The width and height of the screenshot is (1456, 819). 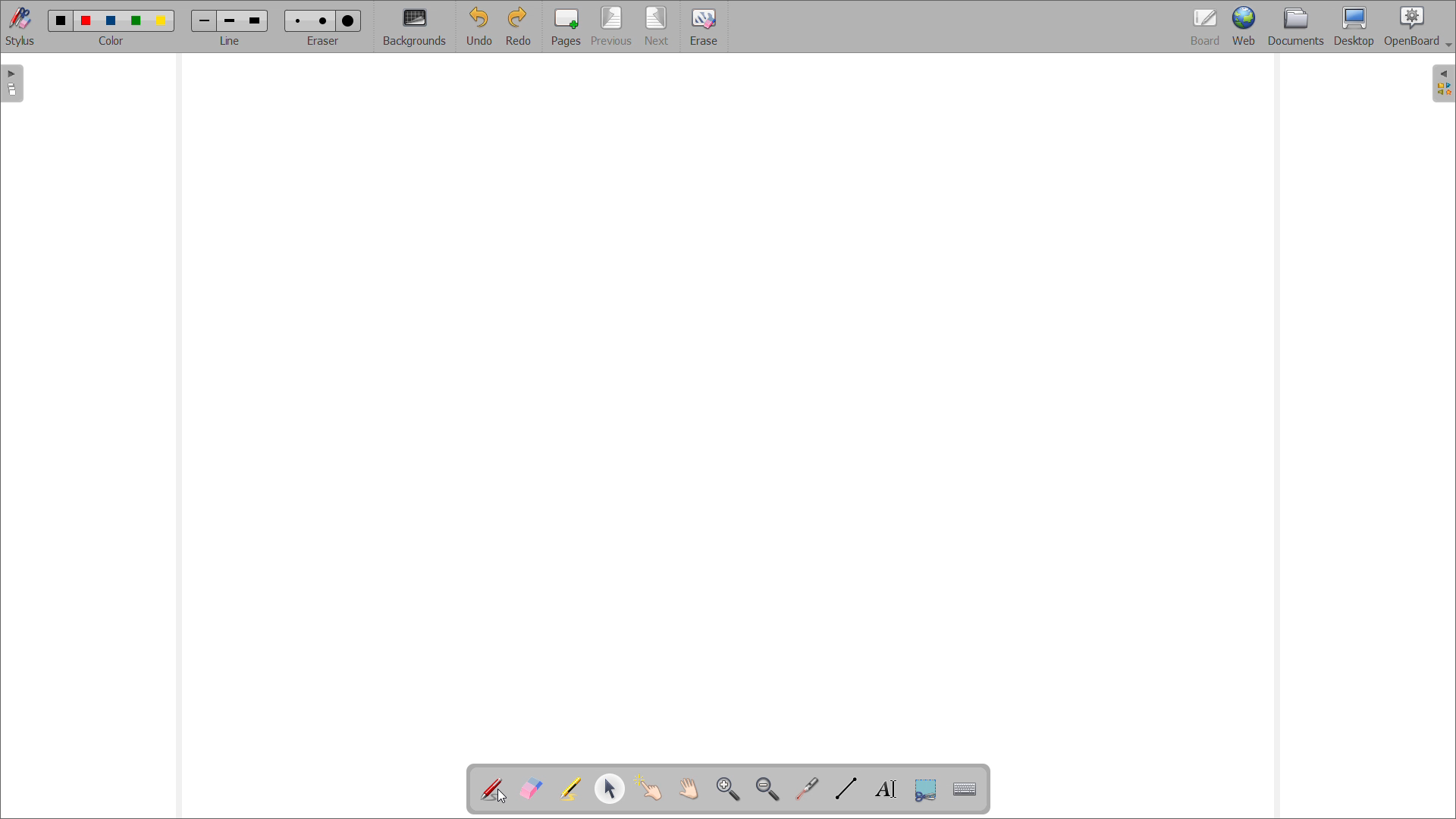 I want to click on erase, so click(x=704, y=27).